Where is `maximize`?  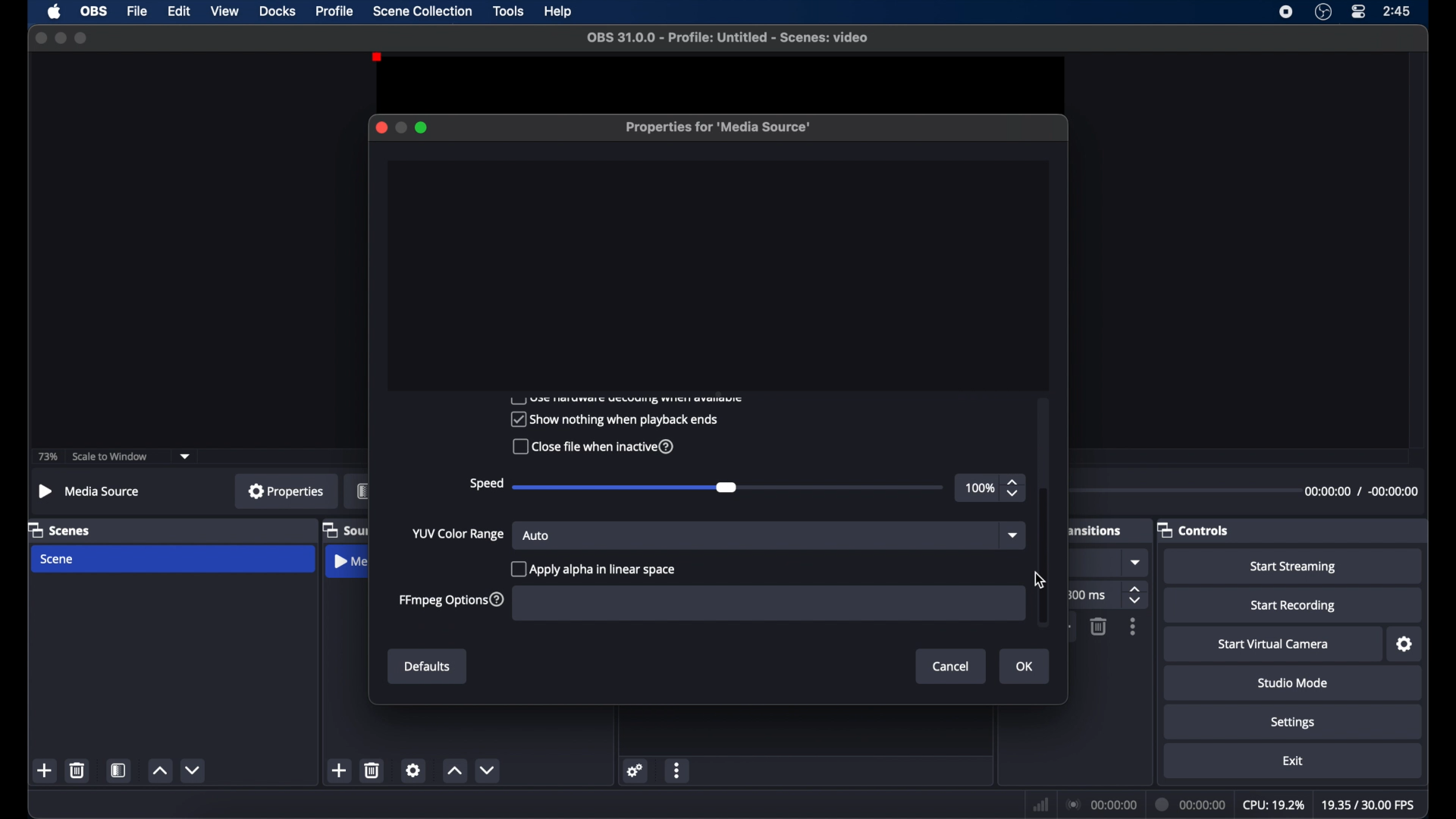 maximize is located at coordinates (82, 39).